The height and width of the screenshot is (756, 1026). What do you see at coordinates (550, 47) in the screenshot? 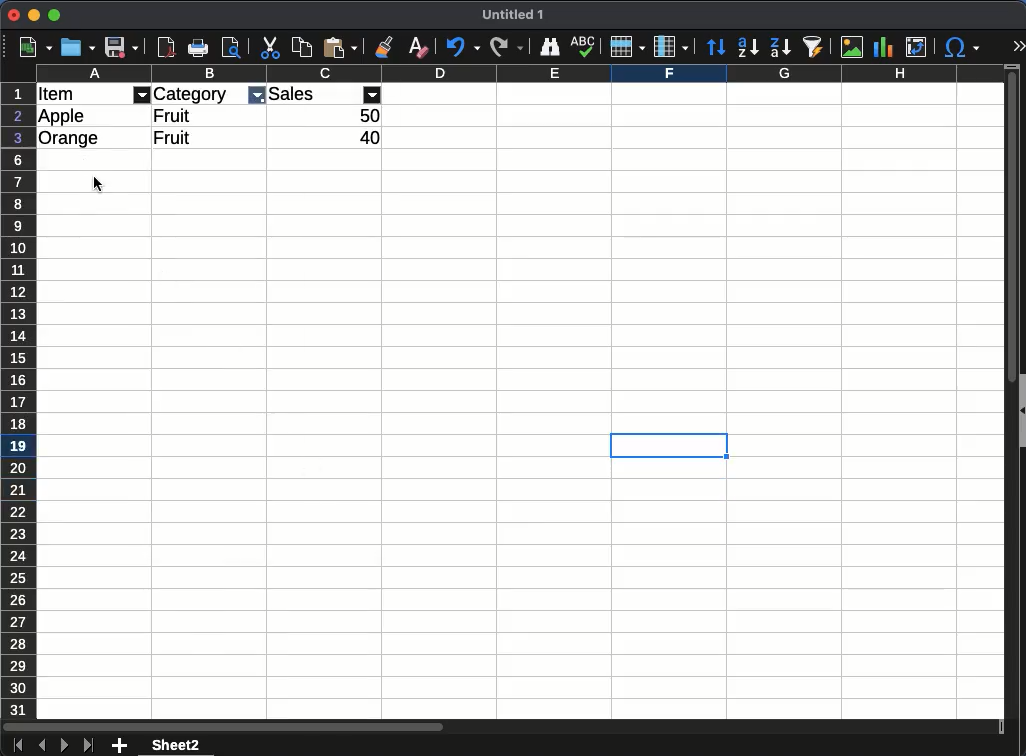
I see `finder` at bounding box center [550, 47].